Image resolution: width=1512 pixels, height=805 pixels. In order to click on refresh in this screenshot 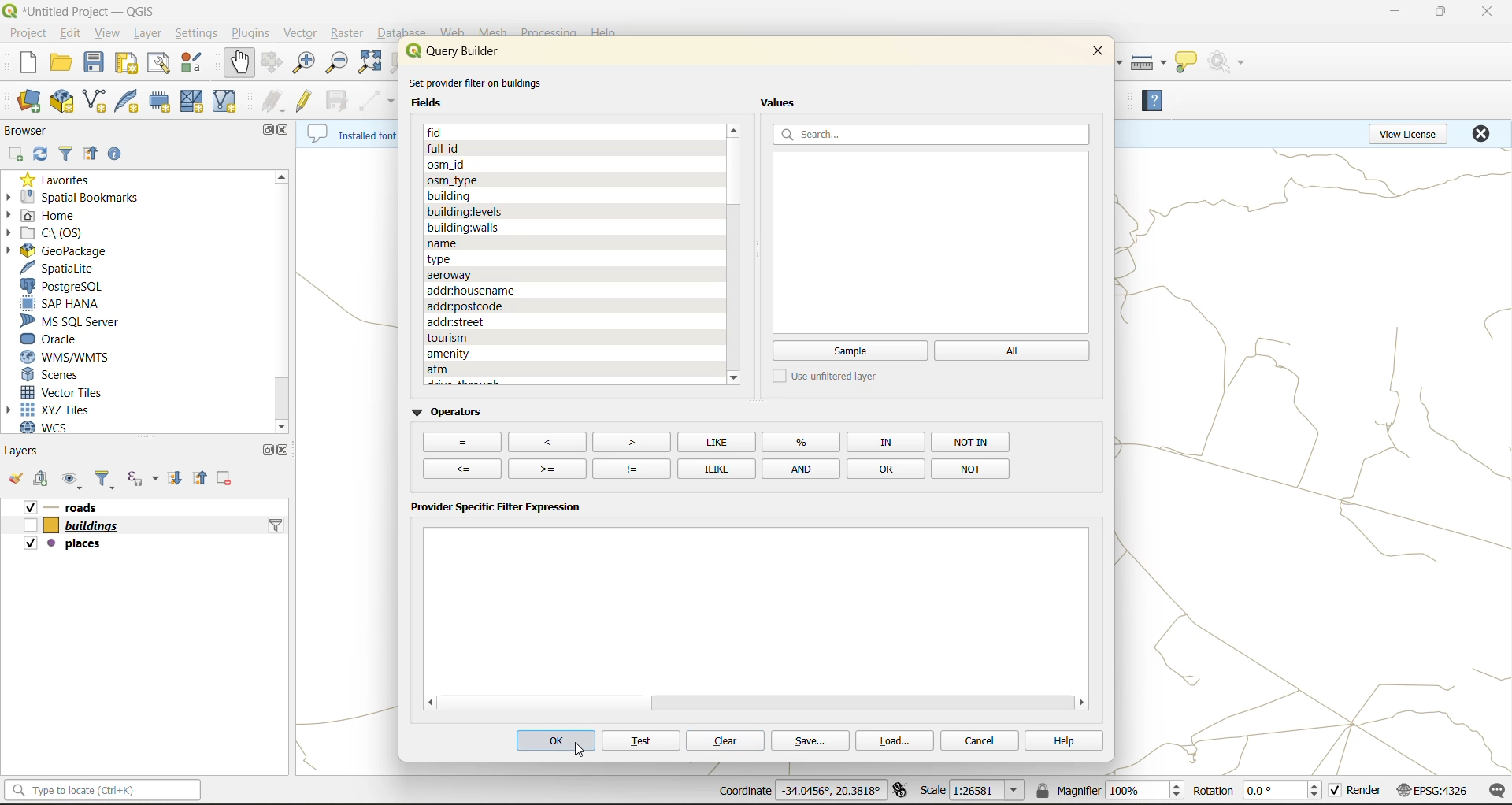, I will do `click(41, 154)`.